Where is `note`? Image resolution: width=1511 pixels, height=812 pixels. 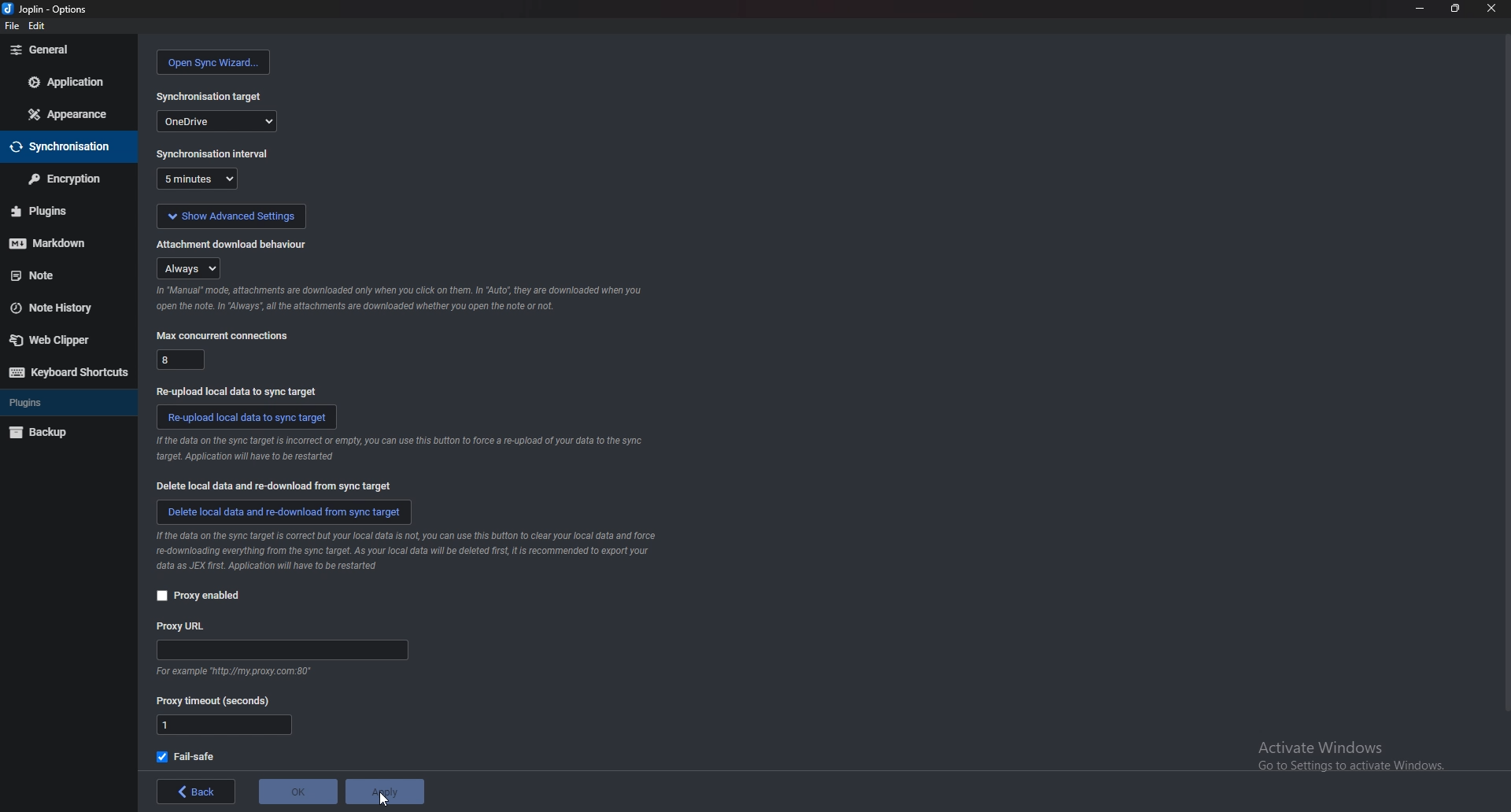 note is located at coordinates (62, 276).